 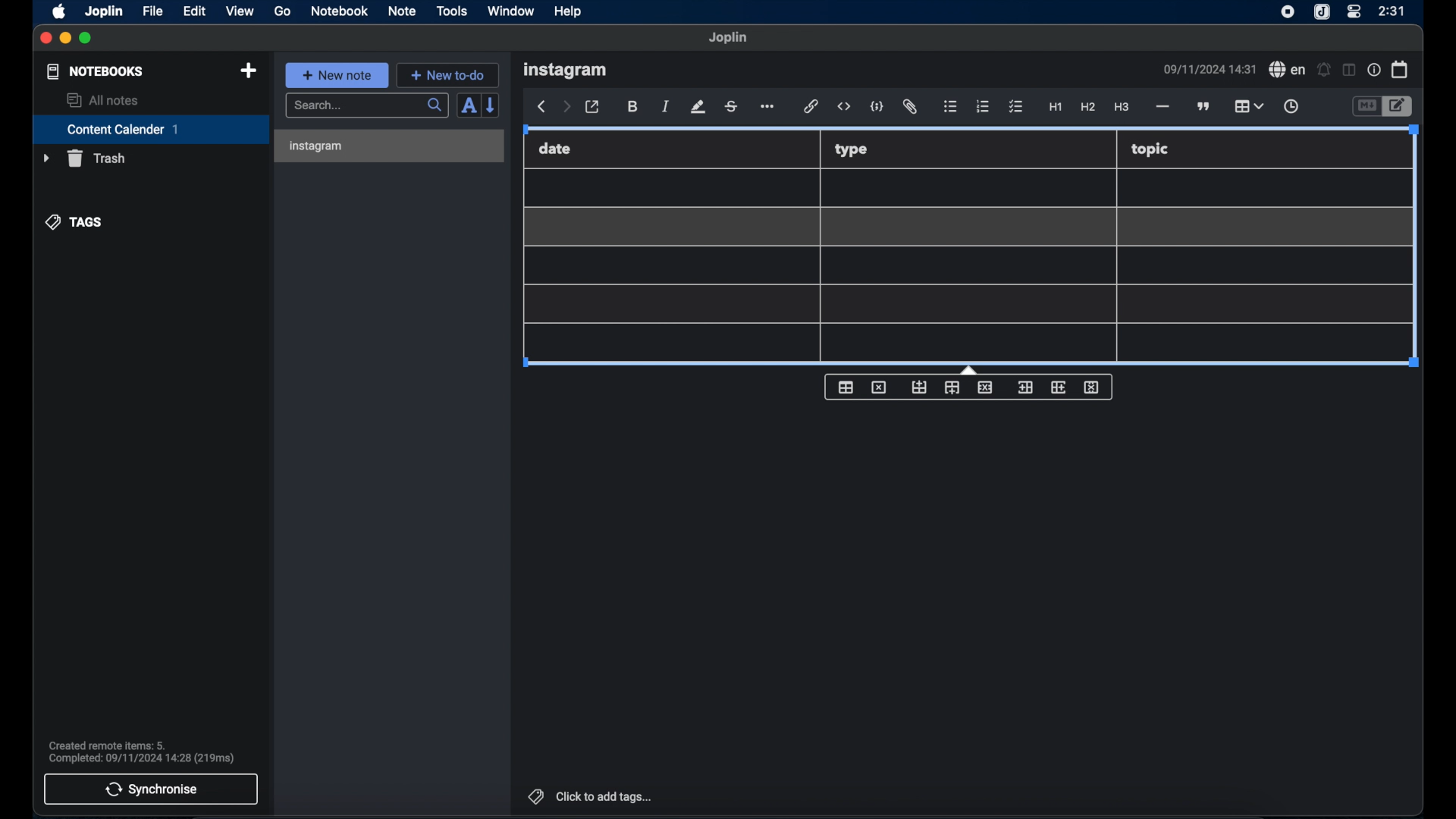 I want to click on 2:31(time), so click(x=1392, y=11).